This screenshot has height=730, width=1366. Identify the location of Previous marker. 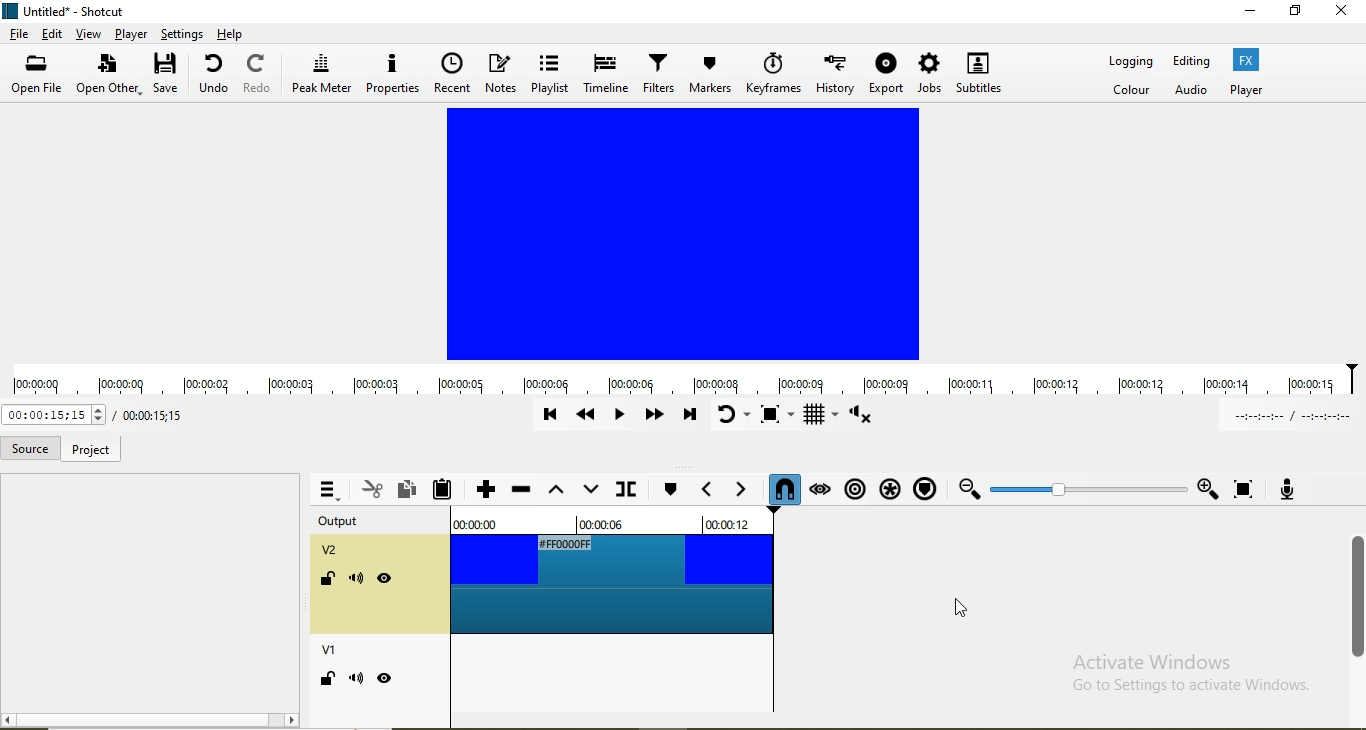
(706, 490).